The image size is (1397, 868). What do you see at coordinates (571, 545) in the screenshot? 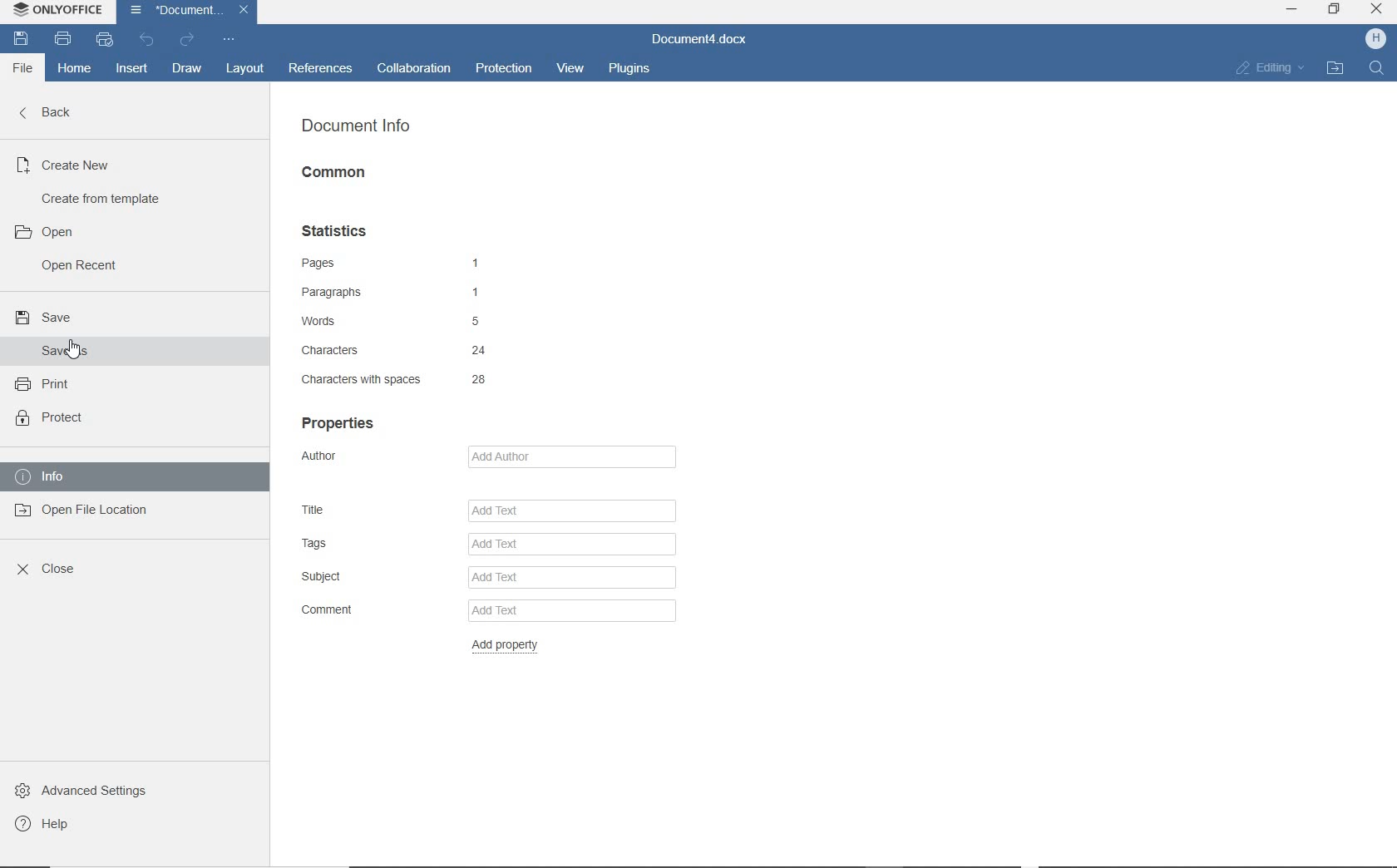
I see `Add Text` at bounding box center [571, 545].